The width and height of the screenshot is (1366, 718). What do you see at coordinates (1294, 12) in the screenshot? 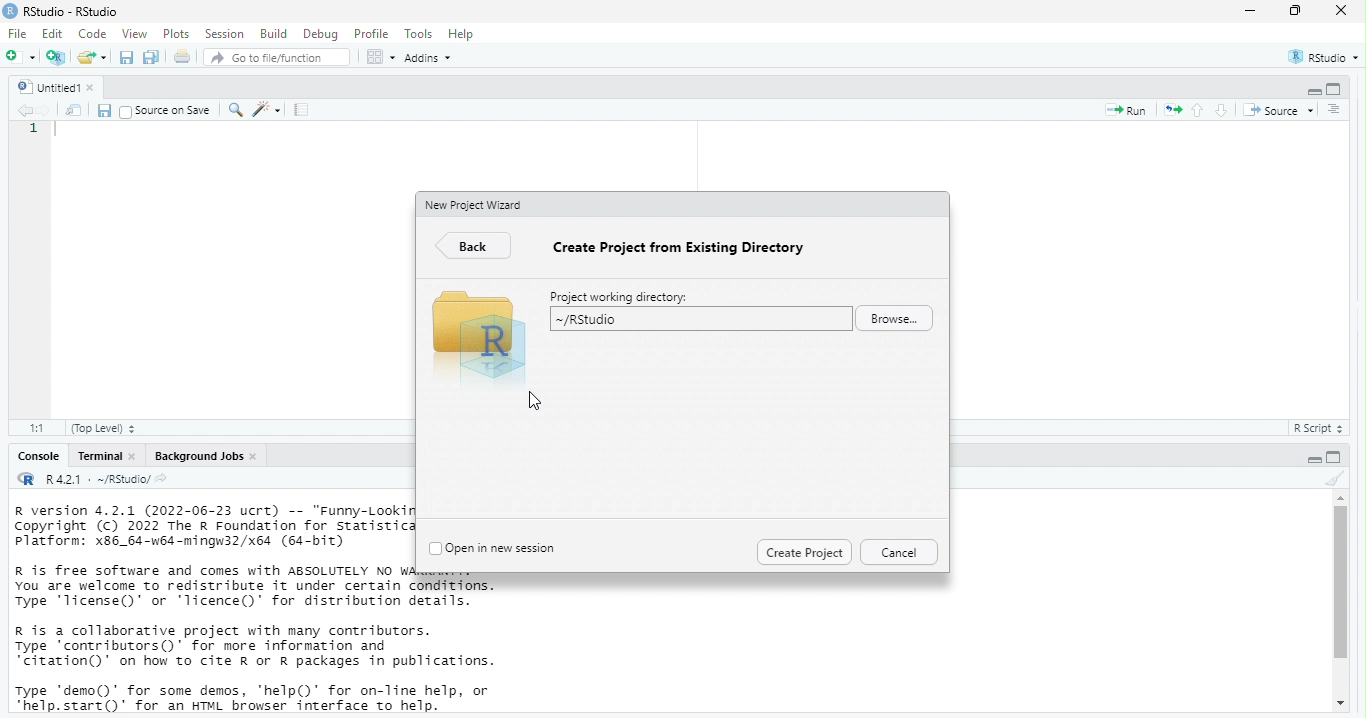
I see `maximize` at bounding box center [1294, 12].